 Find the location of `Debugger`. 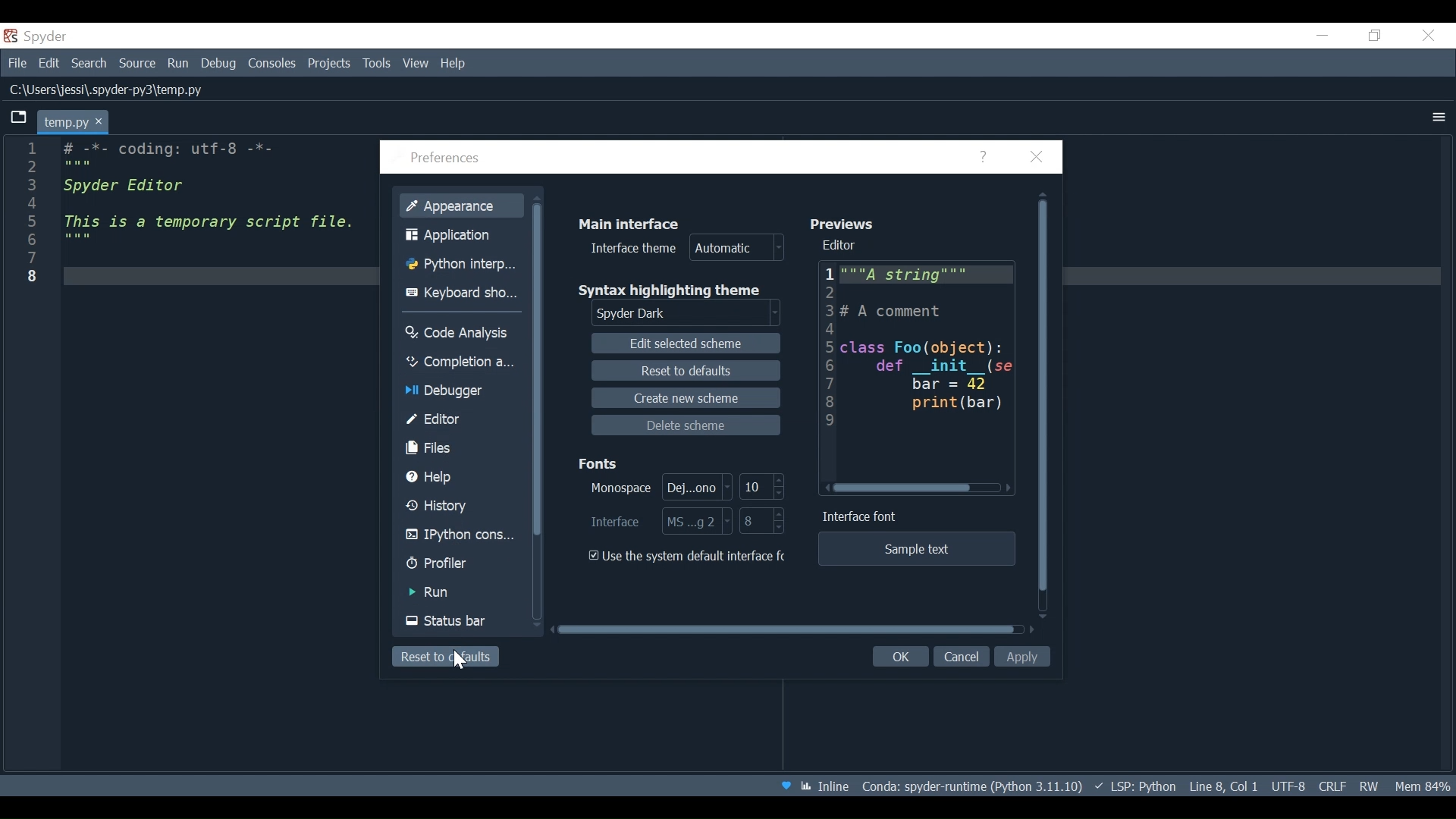

Debugger is located at coordinates (459, 392).